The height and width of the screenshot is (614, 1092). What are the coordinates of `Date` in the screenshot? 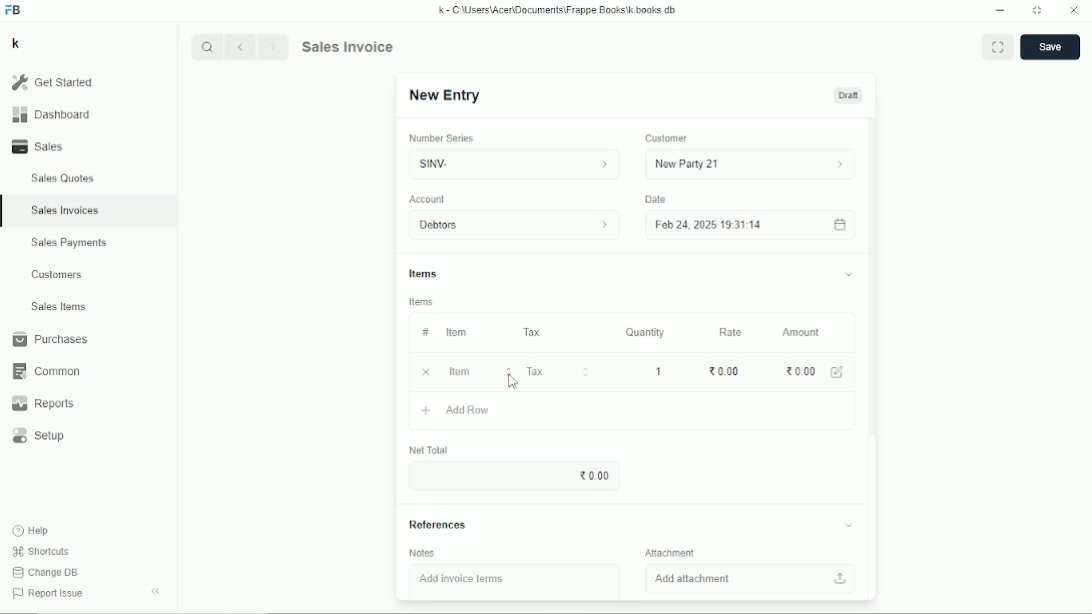 It's located at (655, 199).